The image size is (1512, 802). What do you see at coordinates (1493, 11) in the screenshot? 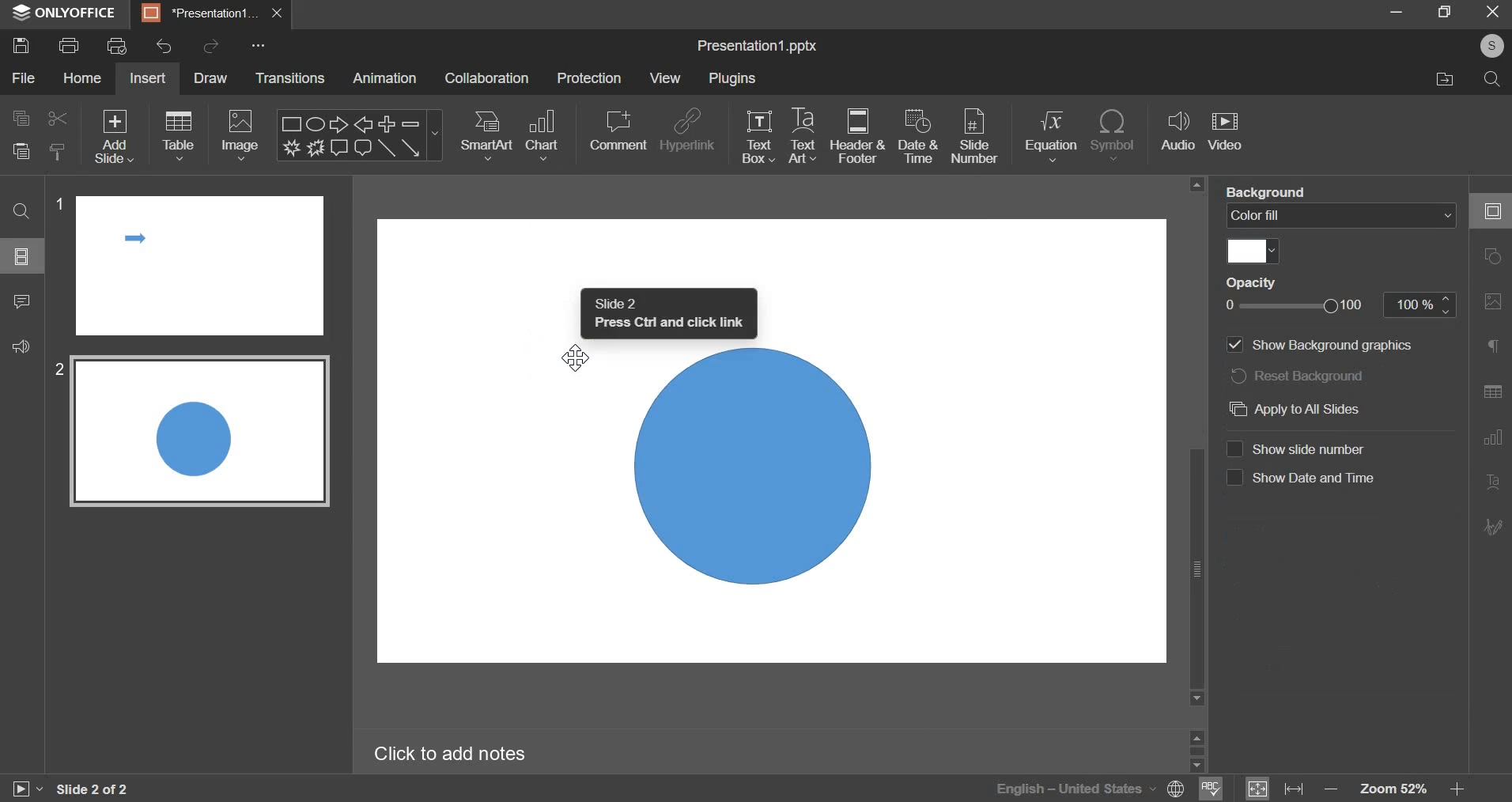
I see `exit` at bounding box center [1493, 11].